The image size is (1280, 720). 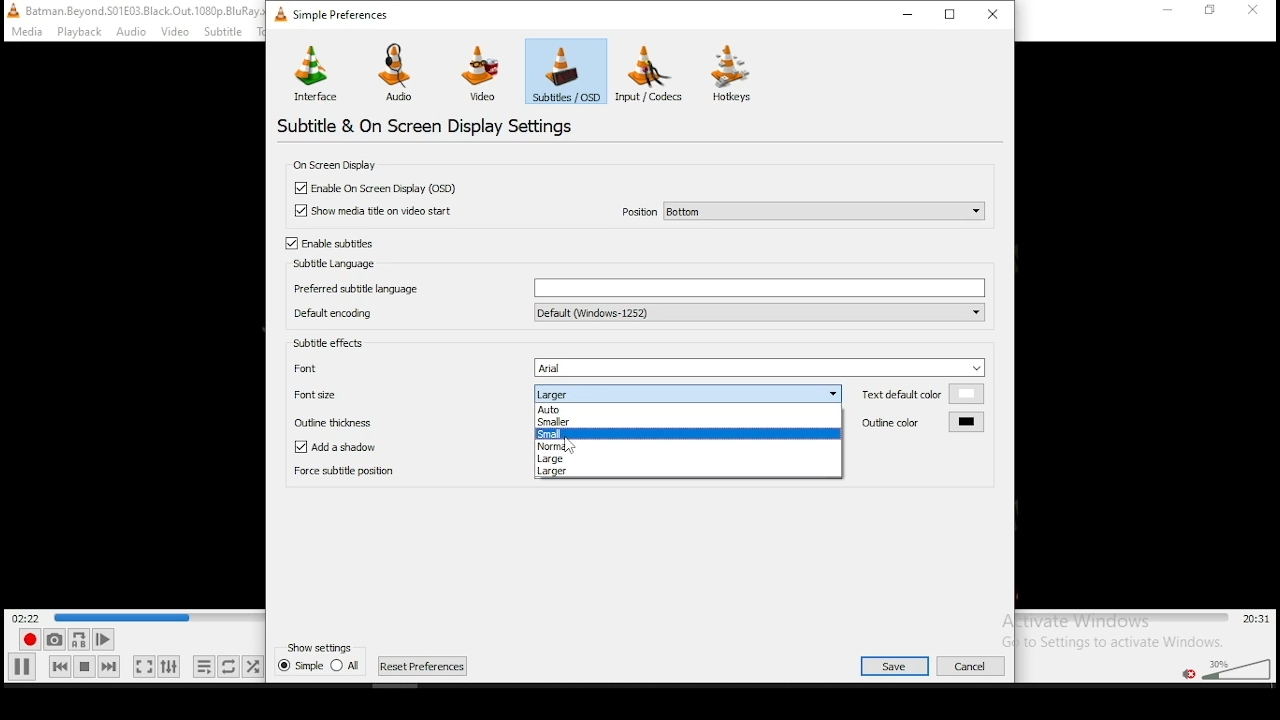 I want to click on normal, so click(x=688, y=446).